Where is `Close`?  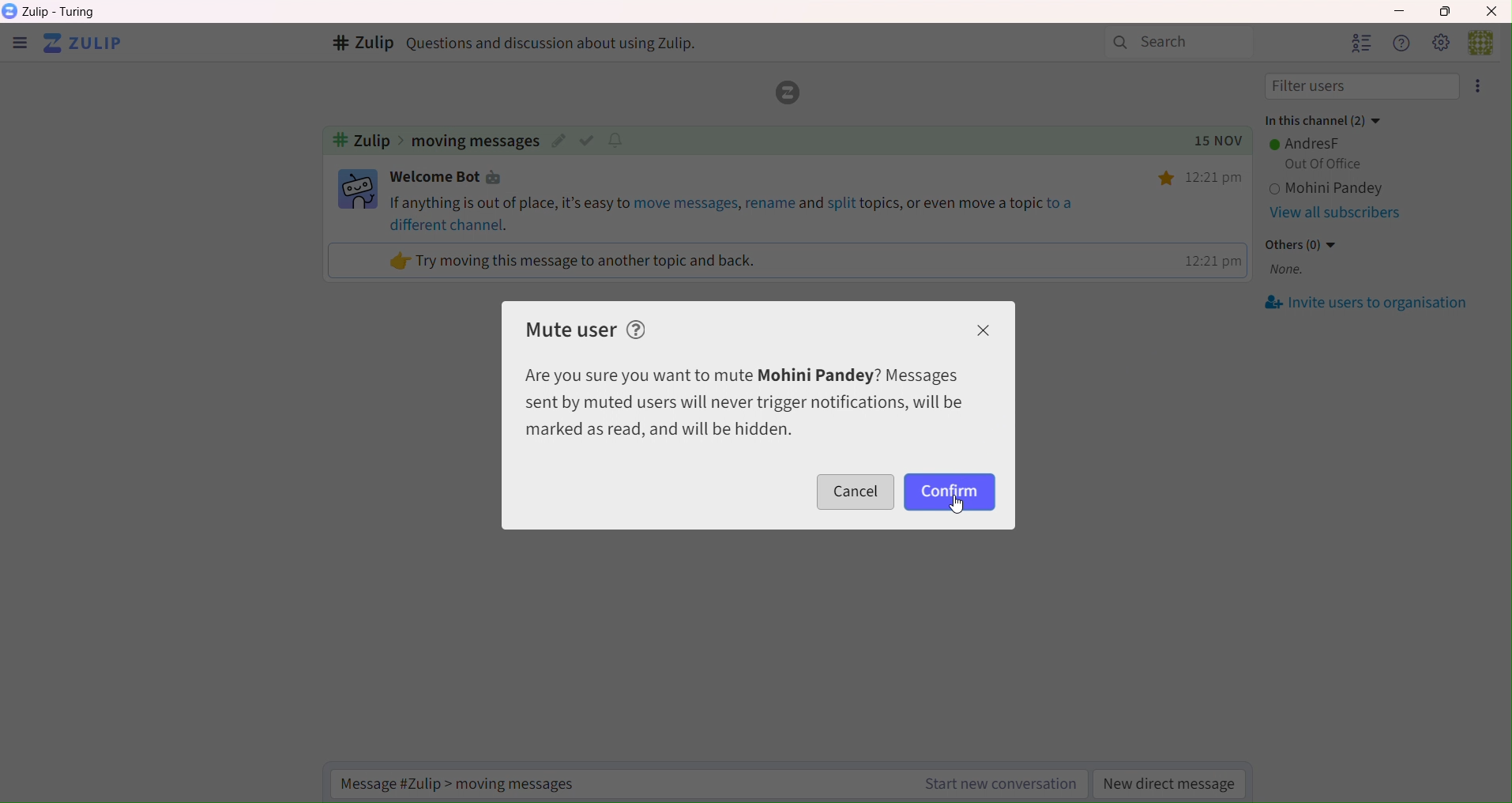 Close is located at coordinates (1493, 10).